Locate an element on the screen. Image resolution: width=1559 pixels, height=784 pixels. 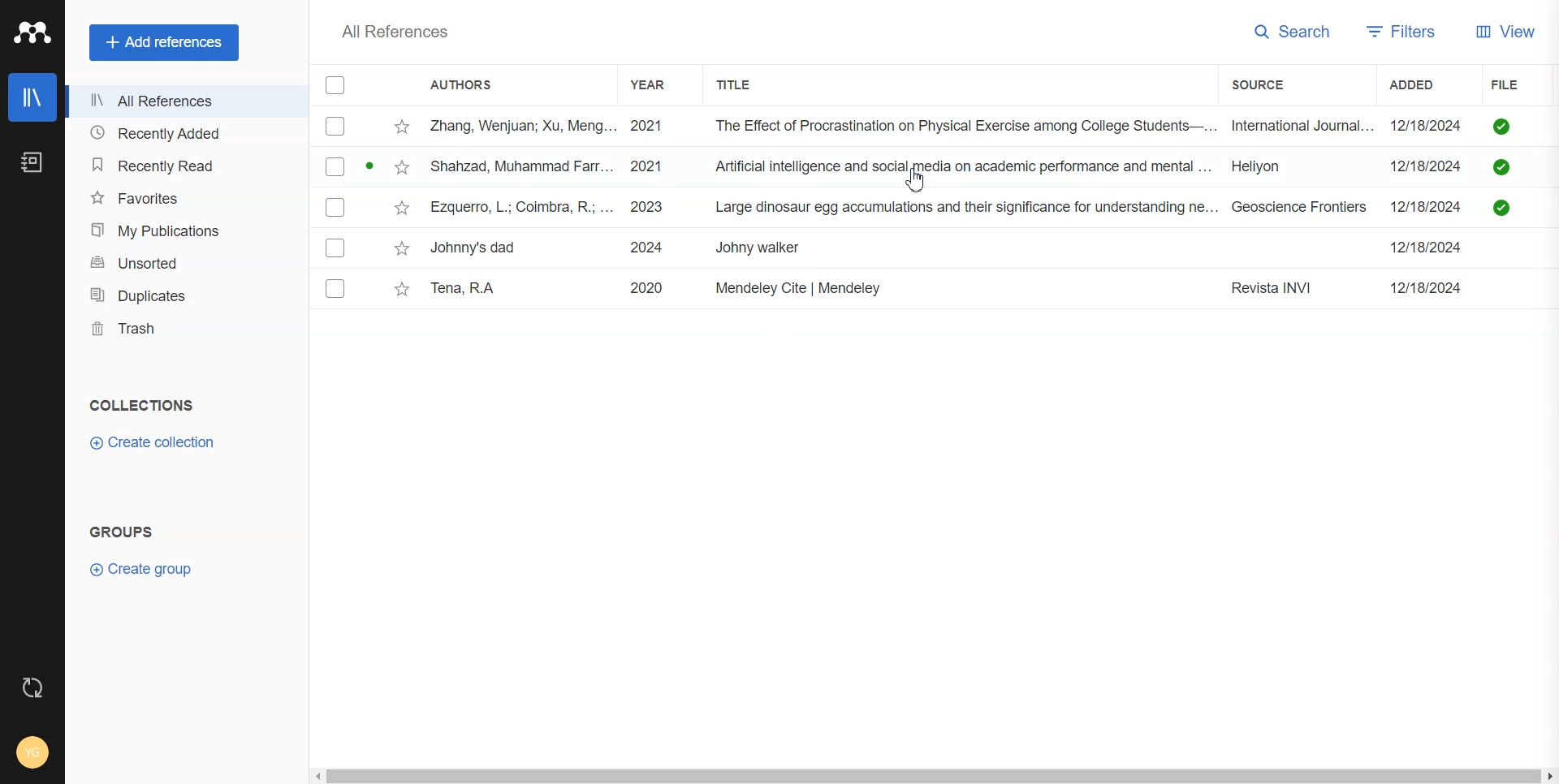
All References is located at coordinates (184, 102).